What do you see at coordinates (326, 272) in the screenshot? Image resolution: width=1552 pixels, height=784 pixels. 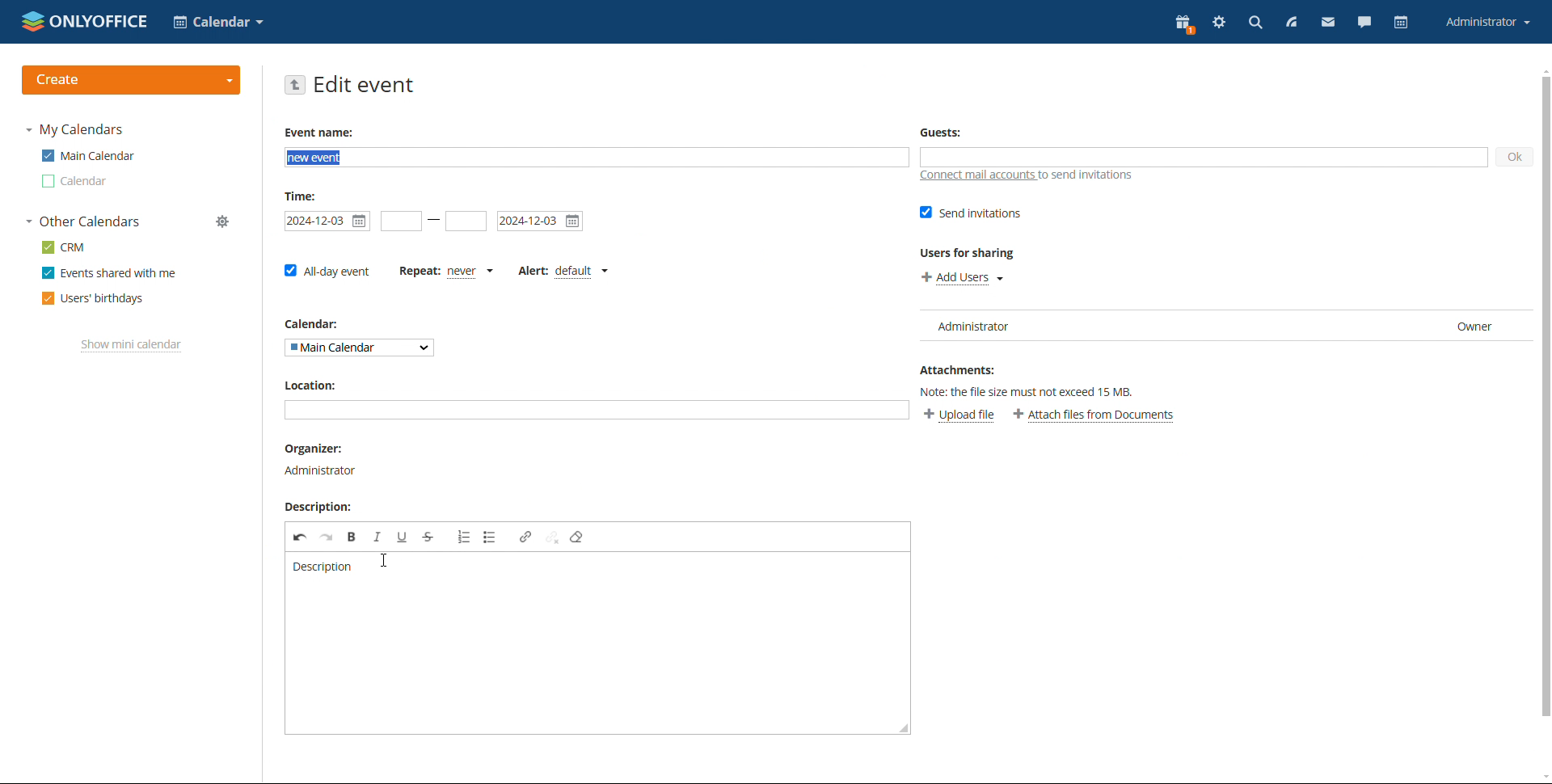 I see `all-day event checkbox` at bounding box center [326, 272].